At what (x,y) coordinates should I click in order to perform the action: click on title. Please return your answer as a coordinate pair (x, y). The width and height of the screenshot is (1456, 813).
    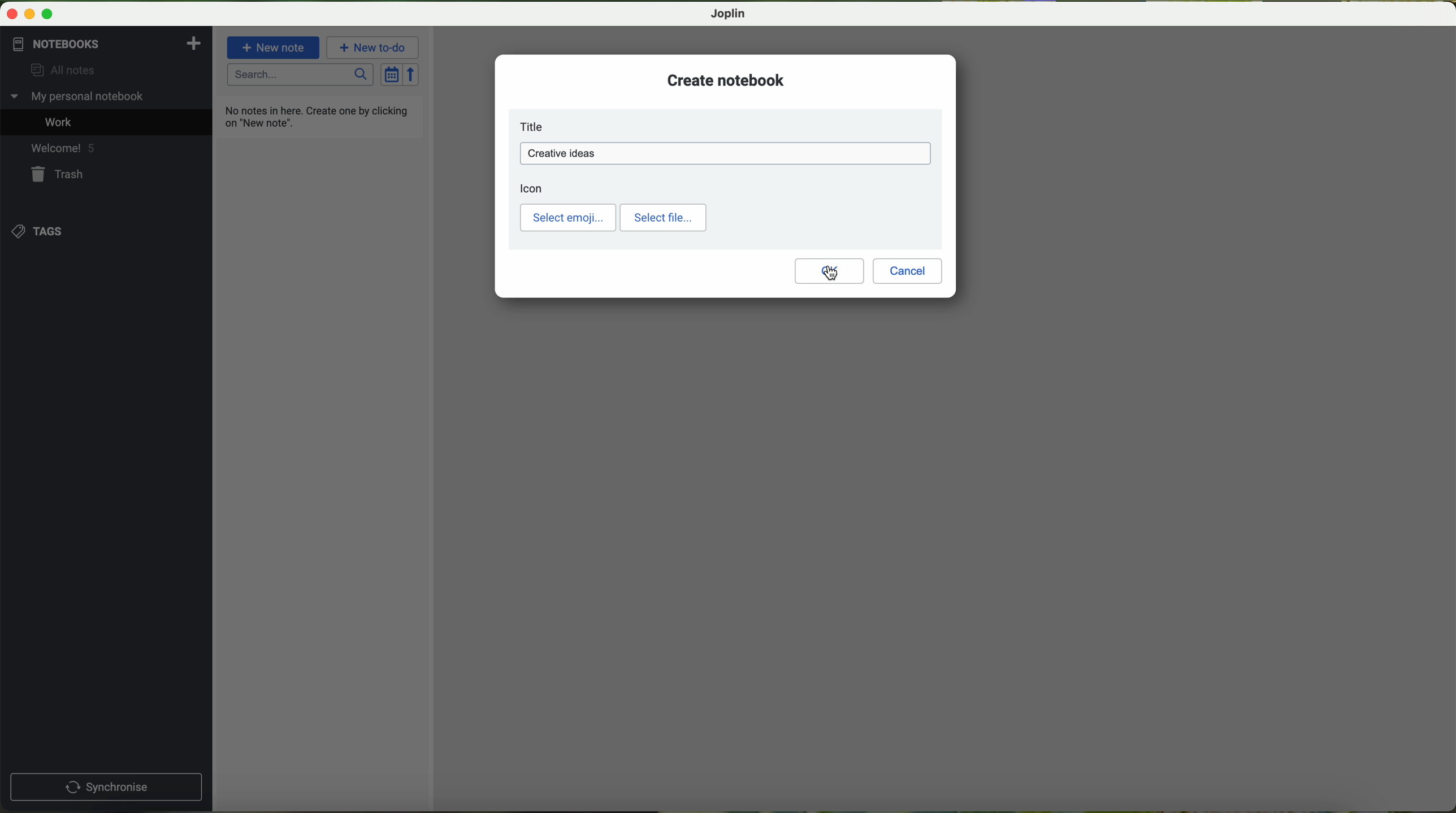
    Looking at the image, I should click on (535, 127).